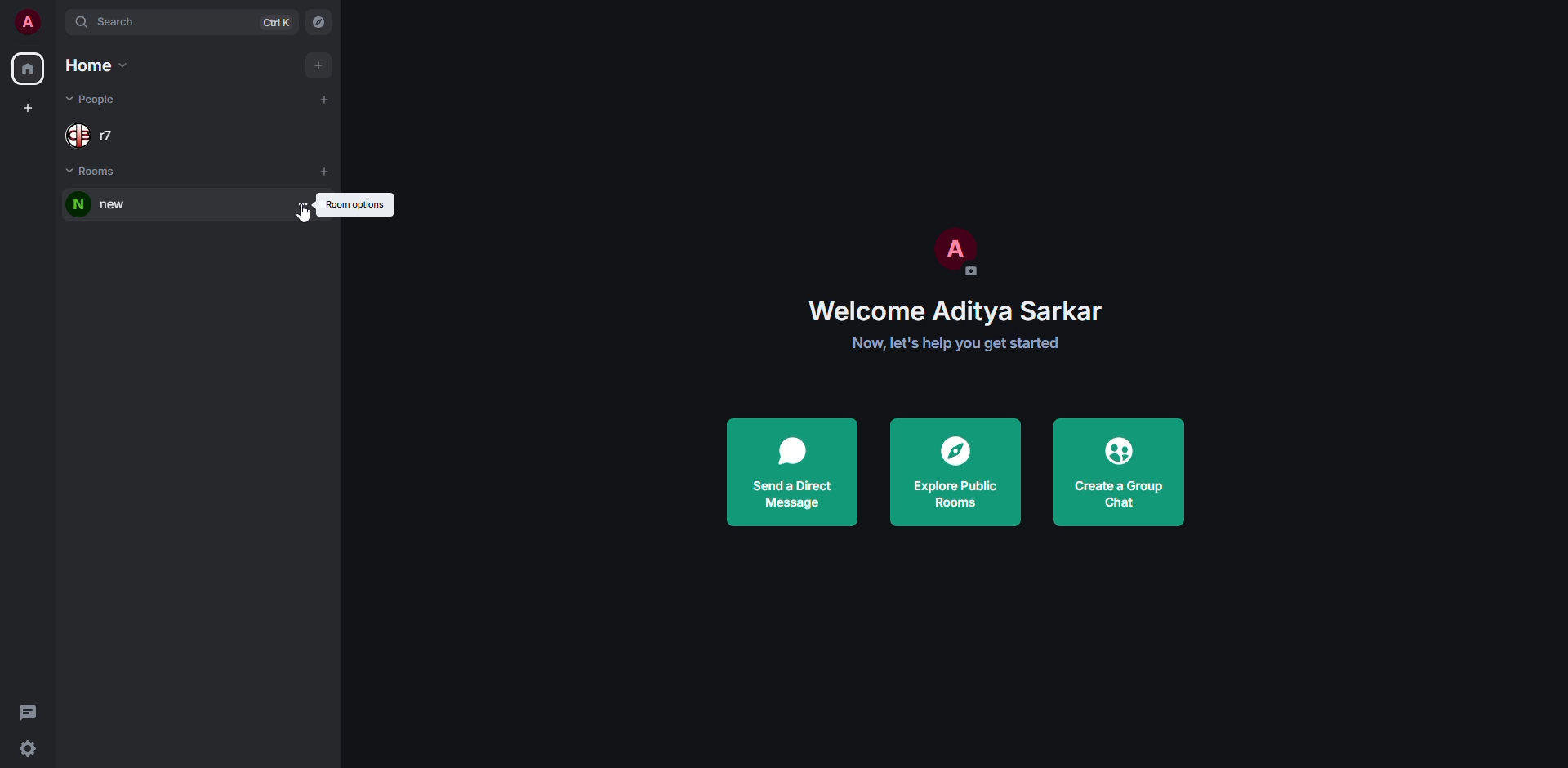  Describe the element at coordinates (277, 22) in the screenshot. I see `ctrl K` at that location.